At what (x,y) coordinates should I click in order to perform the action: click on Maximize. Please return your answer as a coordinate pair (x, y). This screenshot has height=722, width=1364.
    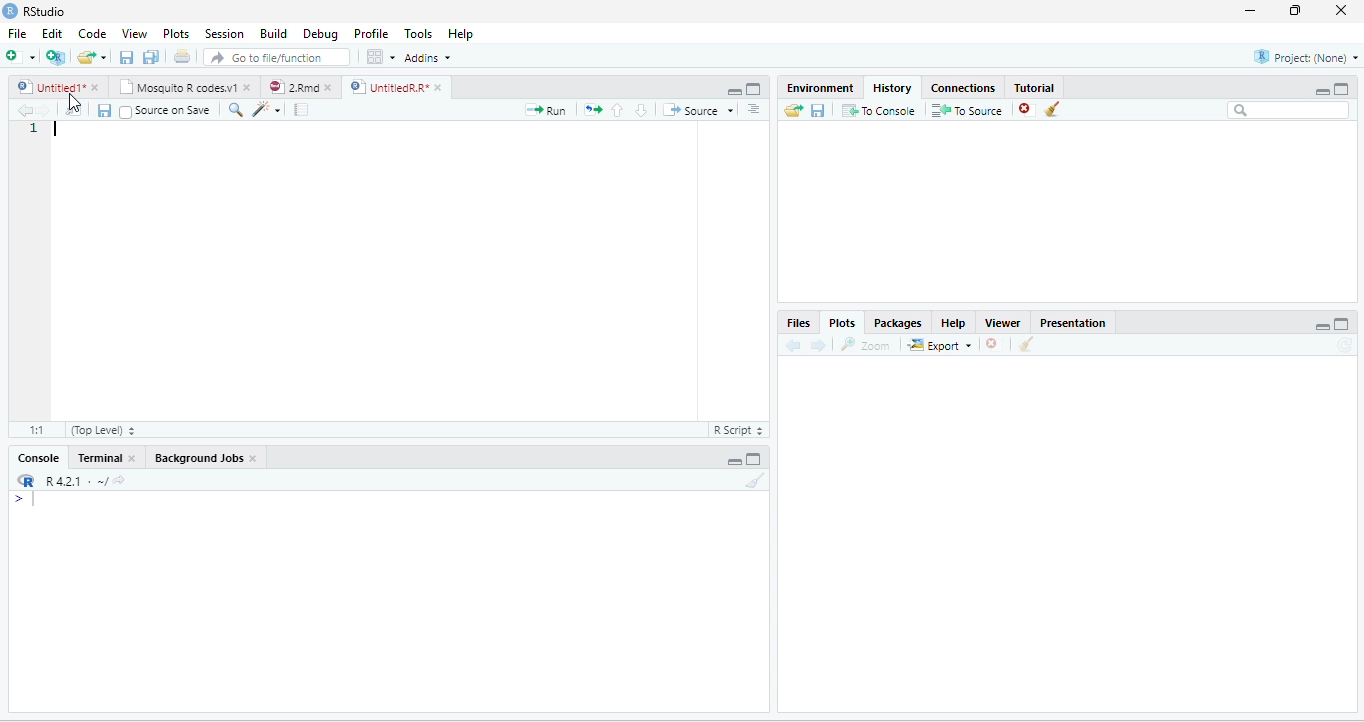
    Looking at the image, I should click on (754, 458).